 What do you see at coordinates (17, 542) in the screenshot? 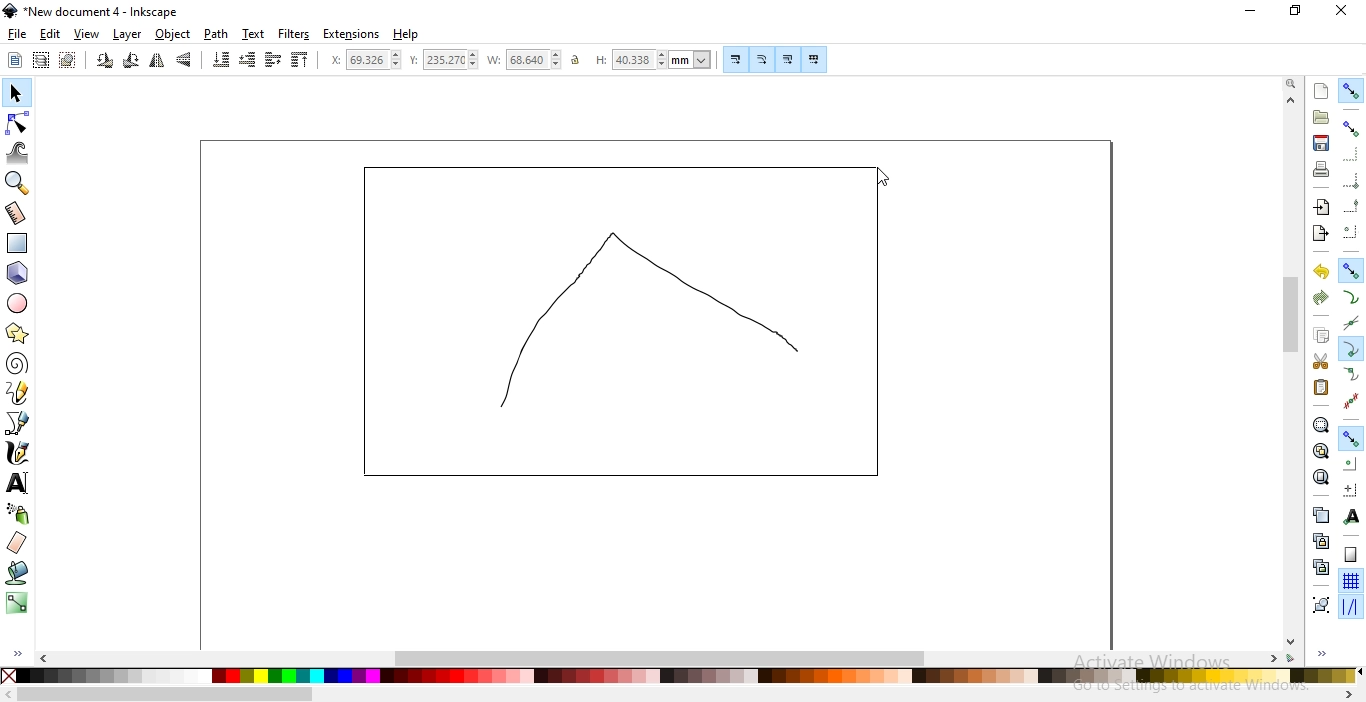
I see `erase existing paths` at bounding box center [17, 542].